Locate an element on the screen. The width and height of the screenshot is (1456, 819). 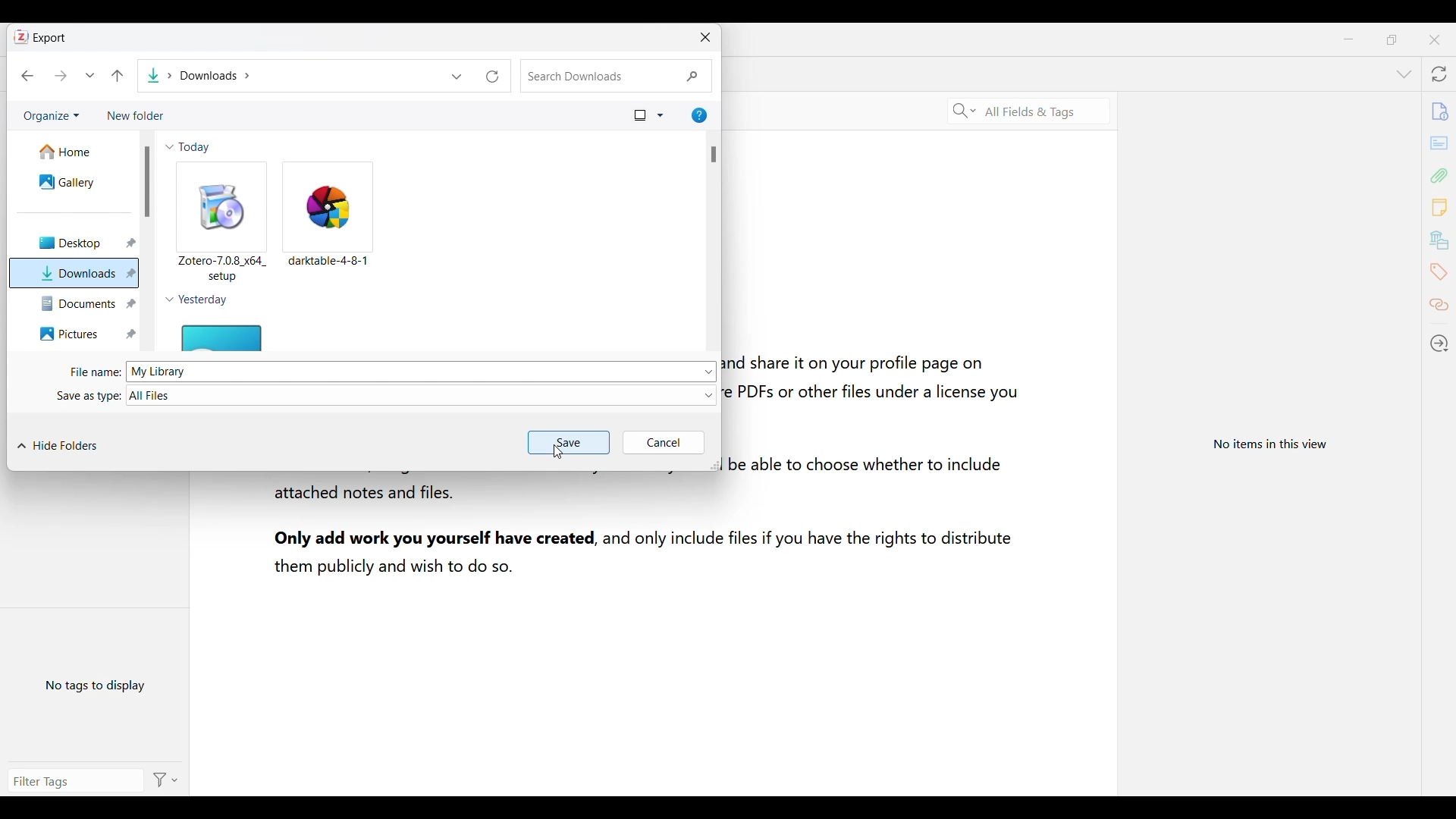
Search downloads is located at coordinates (619, 78).